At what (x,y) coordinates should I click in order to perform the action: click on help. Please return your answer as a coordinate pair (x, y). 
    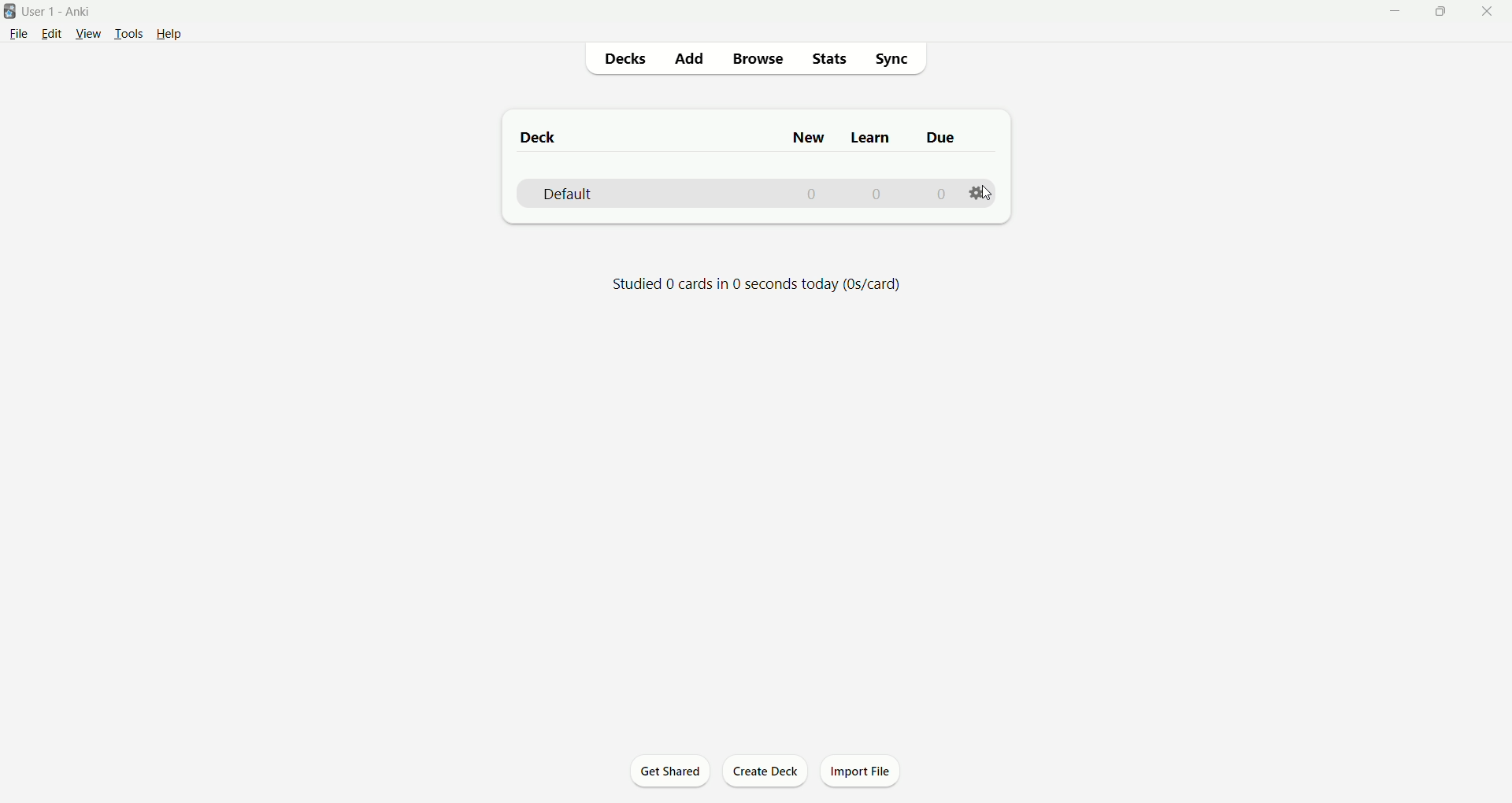
    Looking at the image, I should click on (178, 33).